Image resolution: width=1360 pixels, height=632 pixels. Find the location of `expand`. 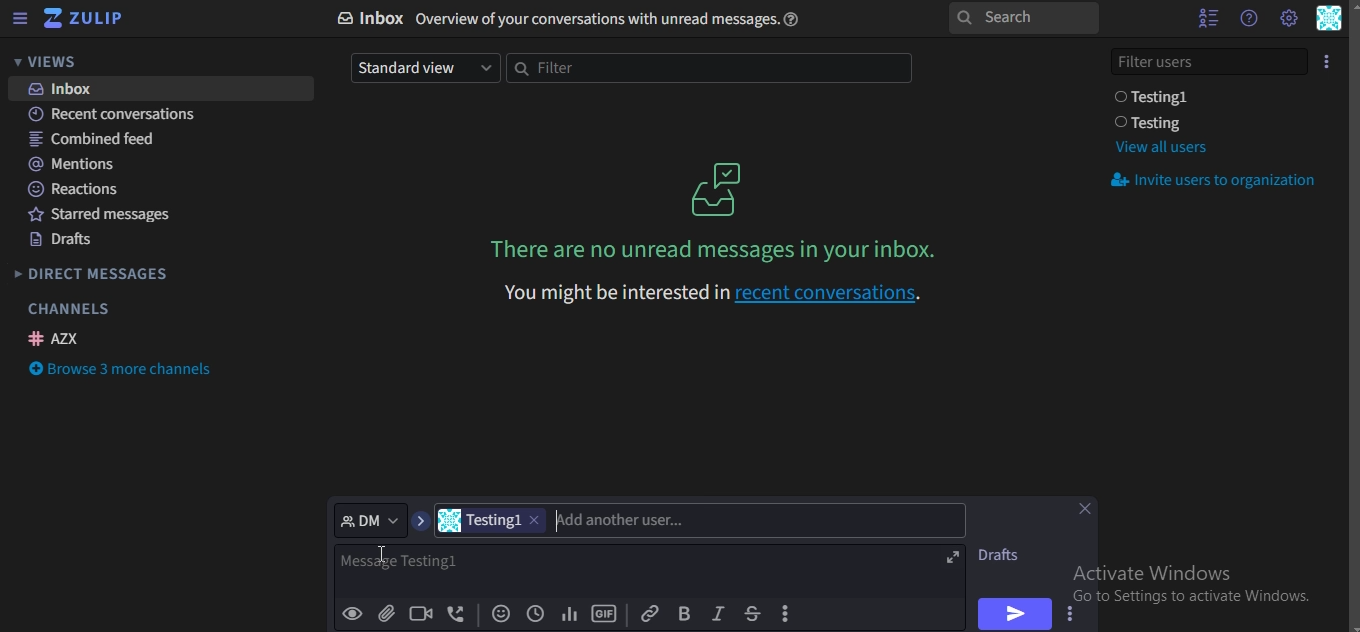

expand is located at coordinates (953, 558).